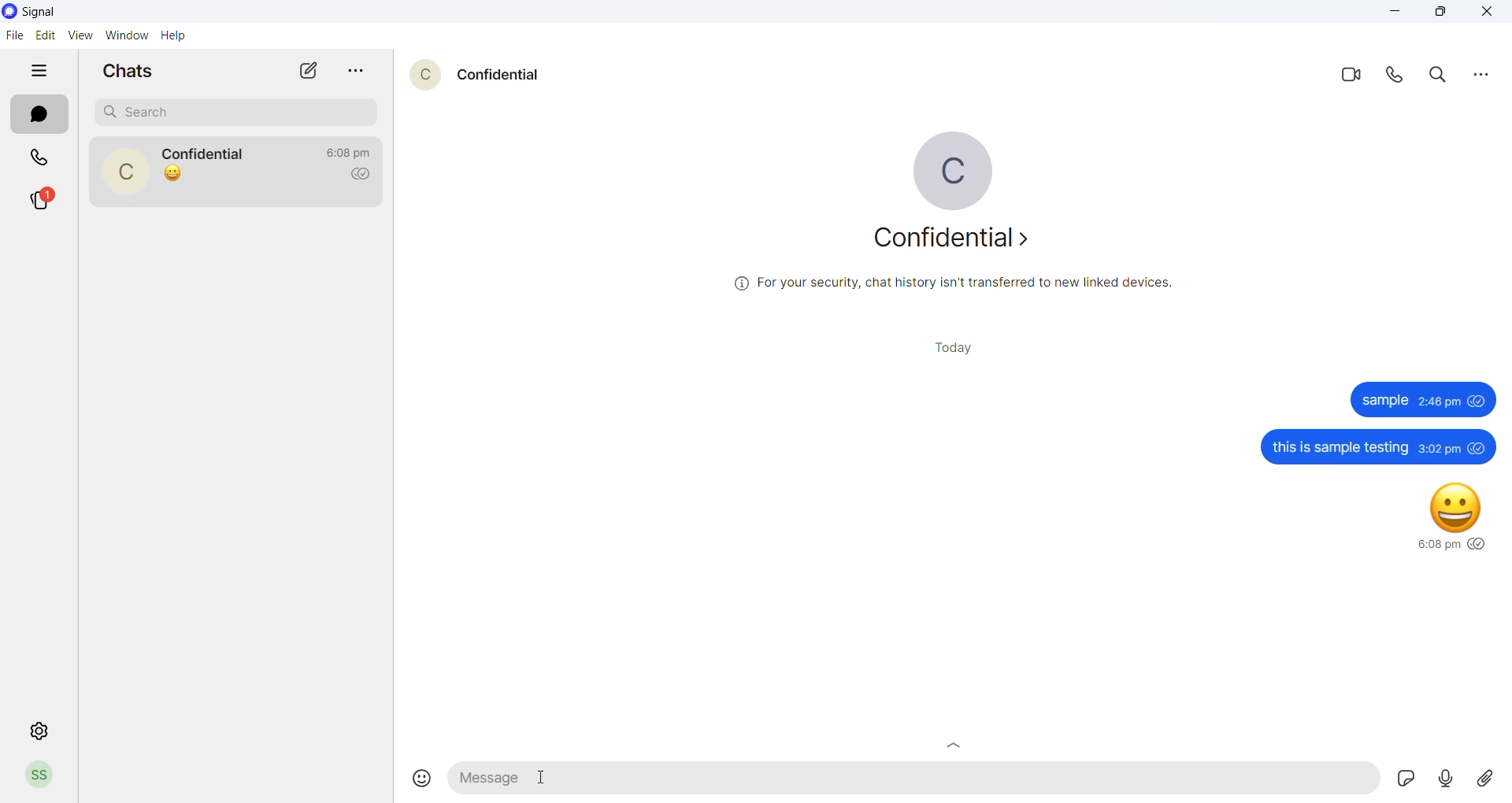  Describe the element at coordinates (173, 173) in the screenshot. I see `last message` at that location.